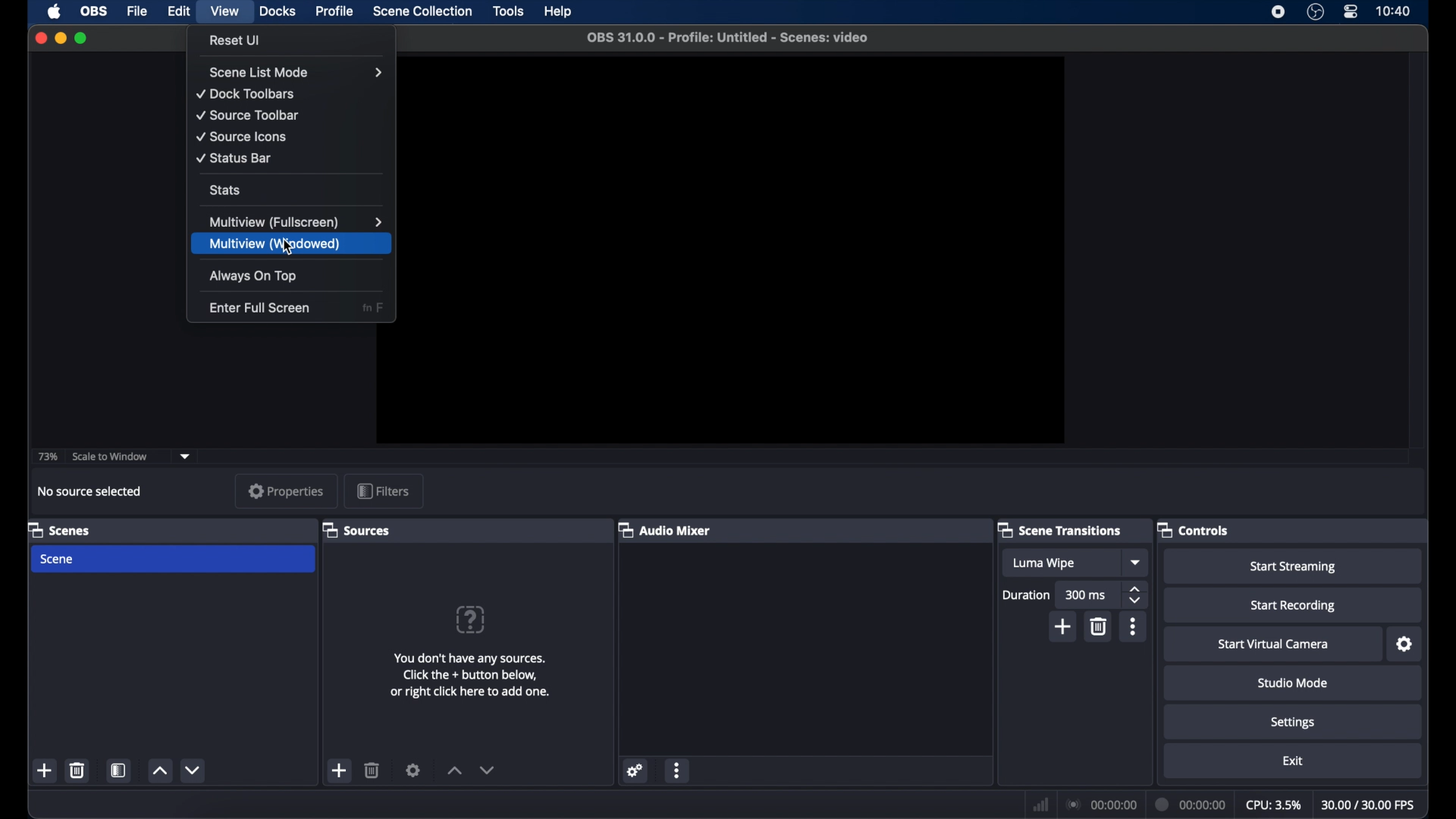  I want to click on add, so click(45, 770).